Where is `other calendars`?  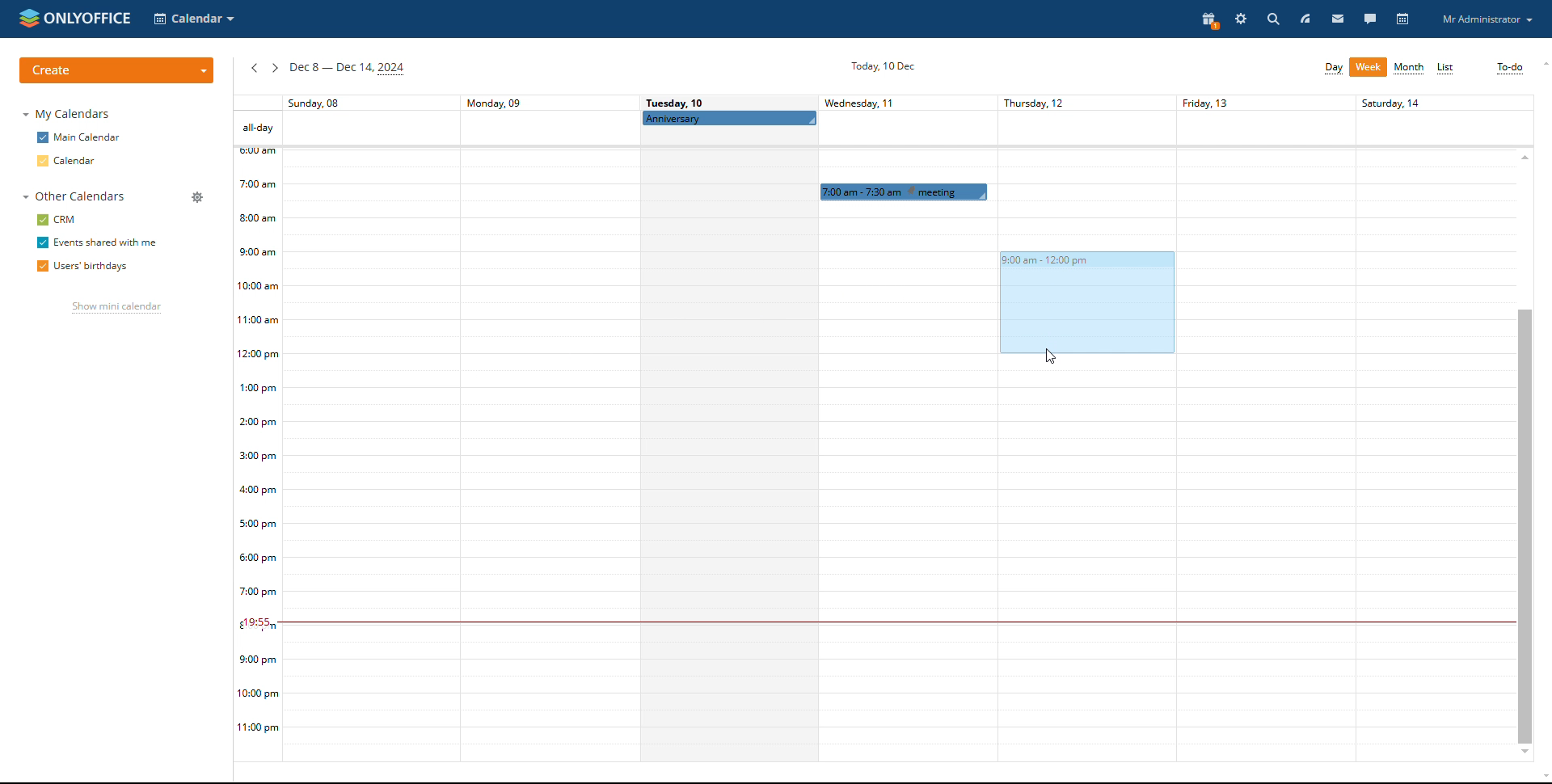 other calendars is located at coordinates (72, 196).